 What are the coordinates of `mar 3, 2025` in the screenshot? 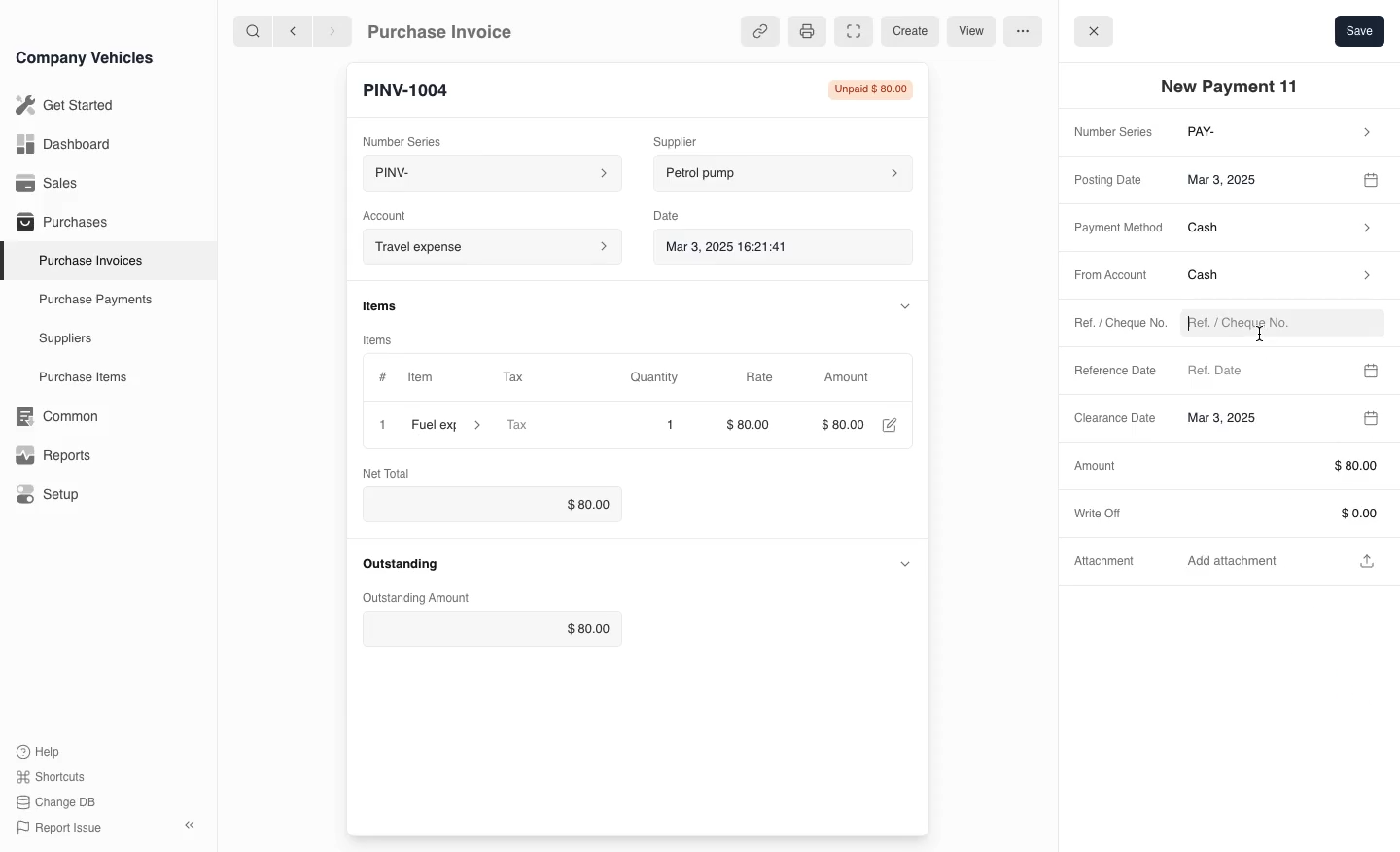 It's located at (1262, 178).